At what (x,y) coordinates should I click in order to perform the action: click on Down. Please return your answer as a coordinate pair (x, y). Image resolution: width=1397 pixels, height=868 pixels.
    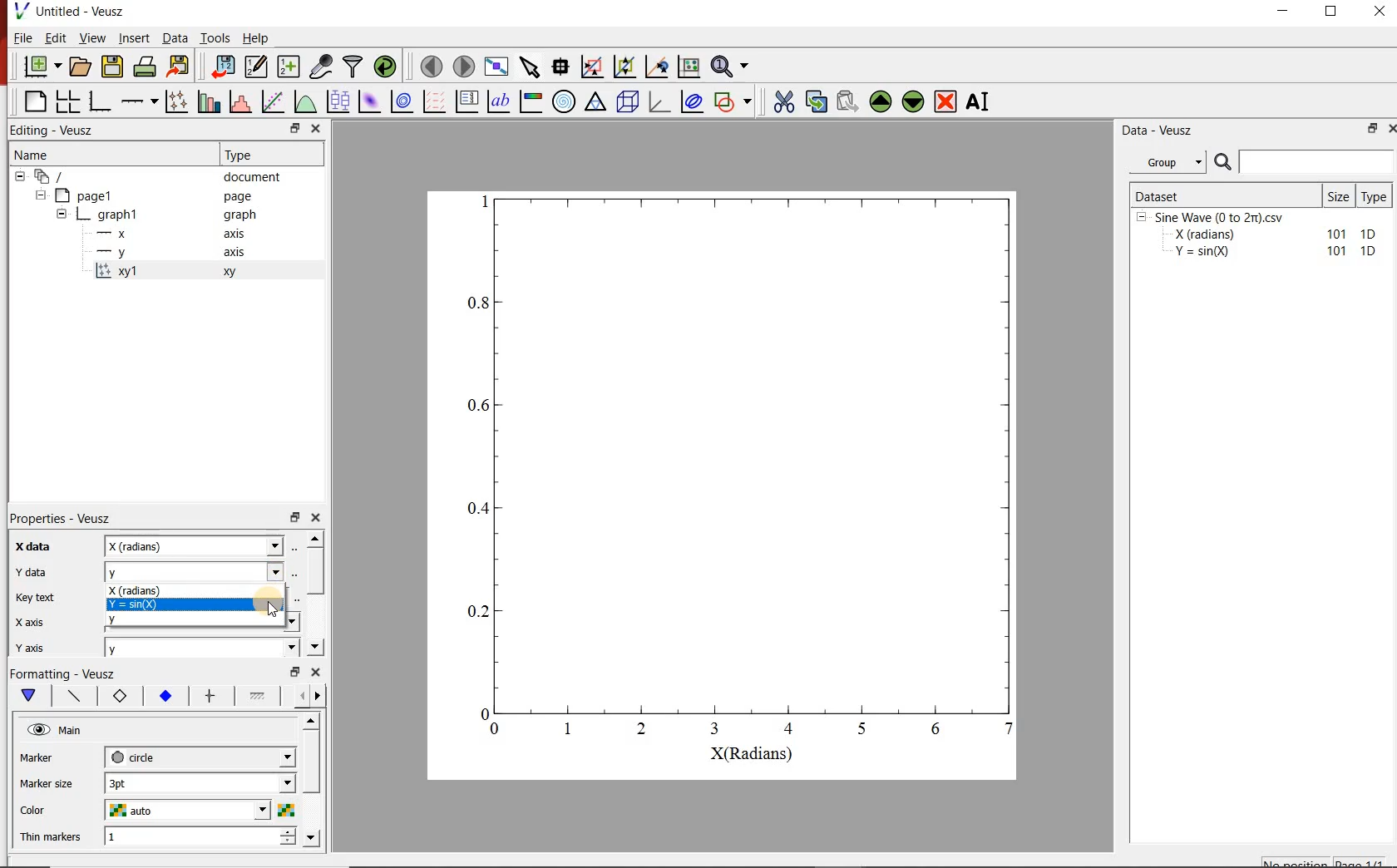
    Looking at the image, I should click on (313, 837).